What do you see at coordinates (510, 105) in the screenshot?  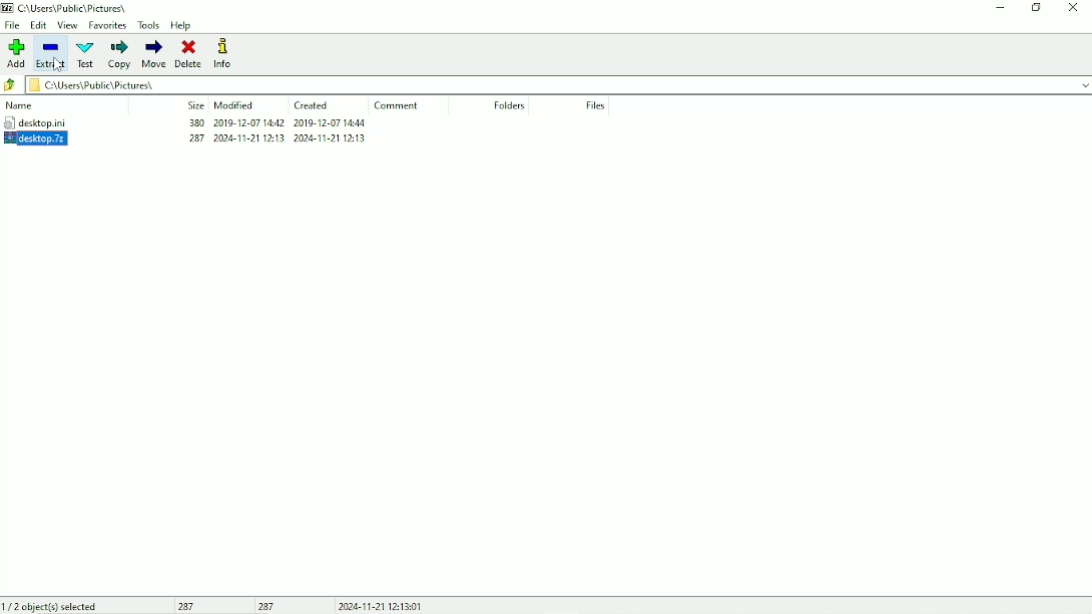 I see `Folders` at bounding box center [510, 105].